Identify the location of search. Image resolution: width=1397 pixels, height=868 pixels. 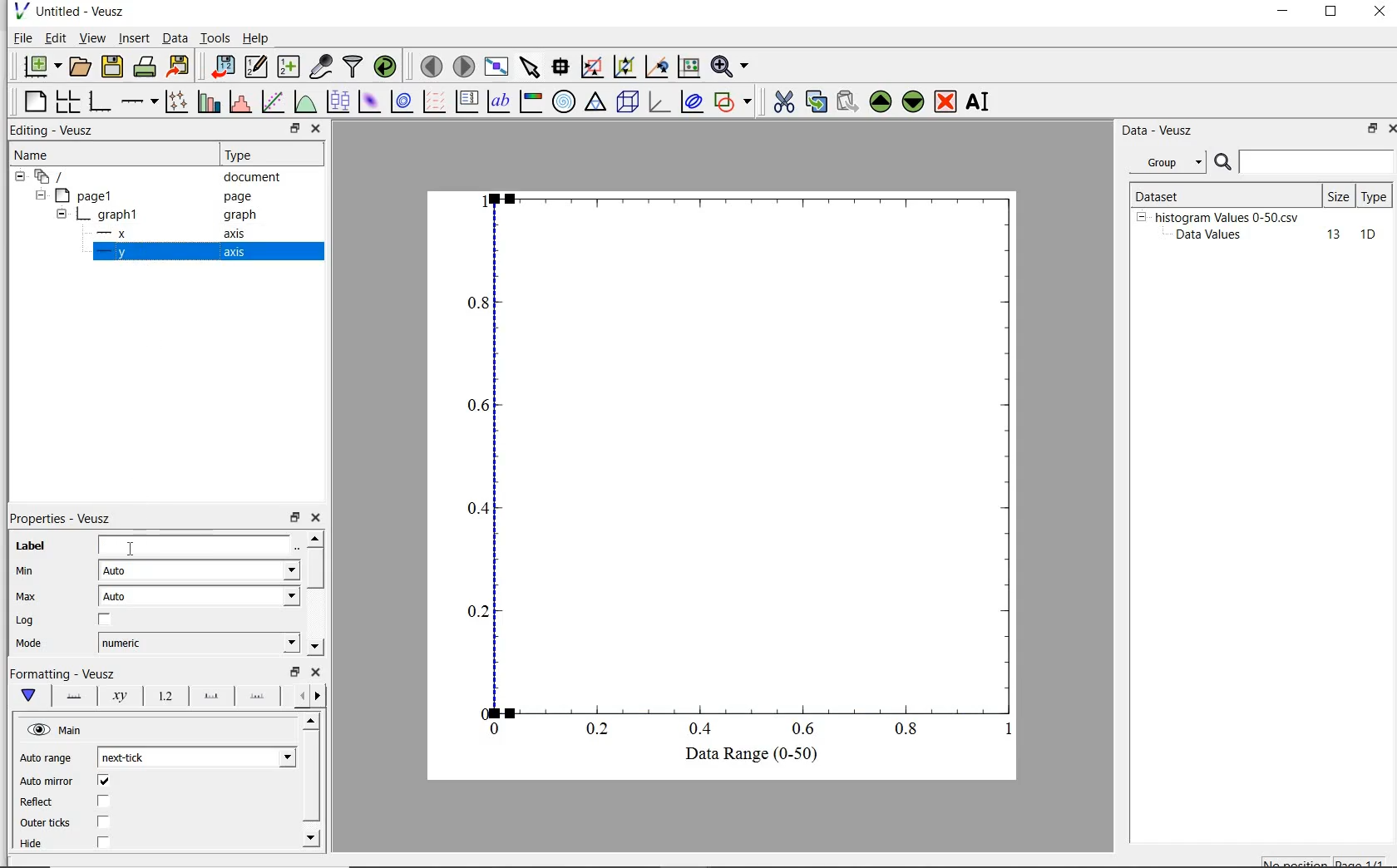
(1224, 163).